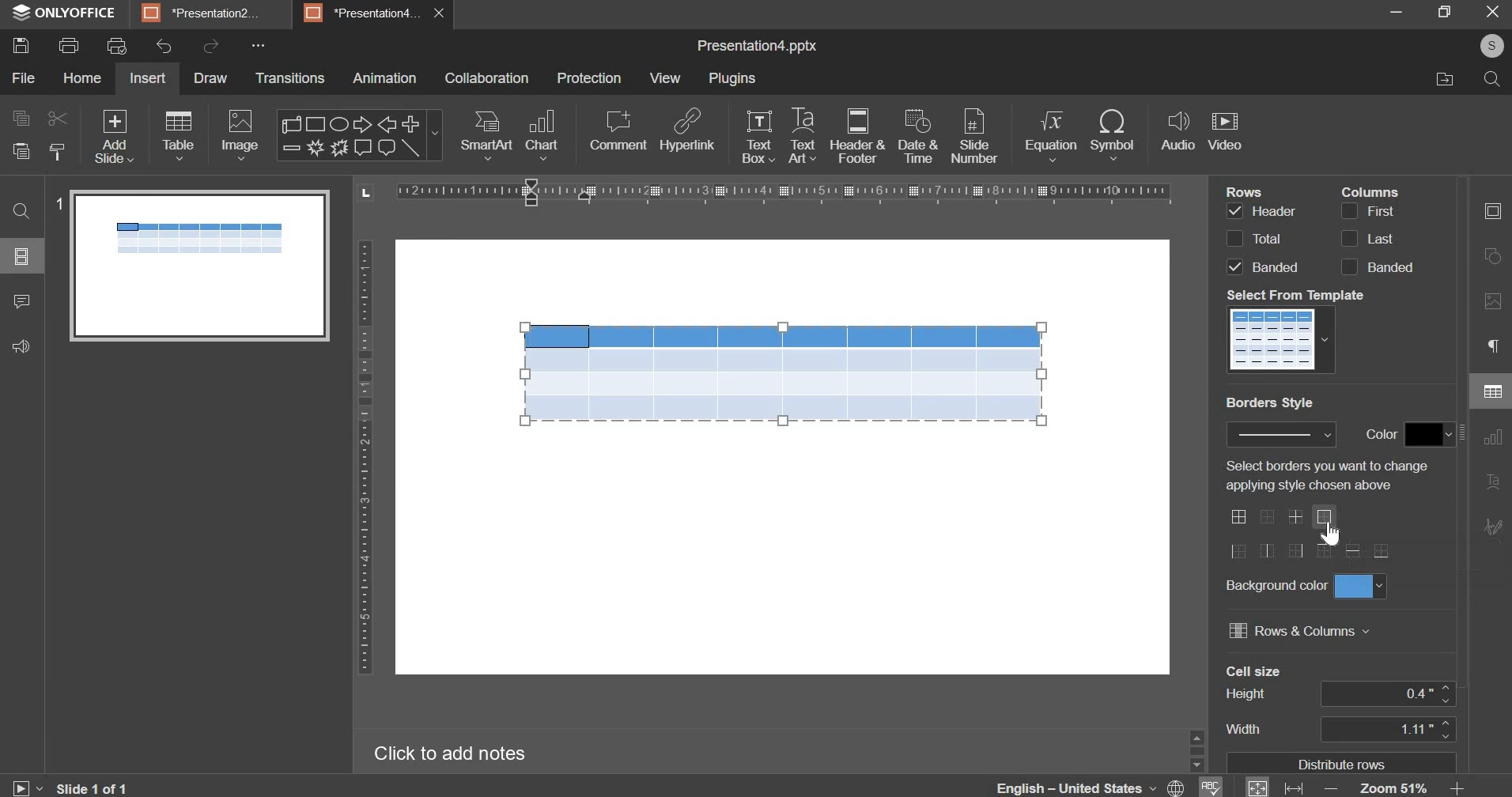  I want to click on spell checking, so click(1211, 787).